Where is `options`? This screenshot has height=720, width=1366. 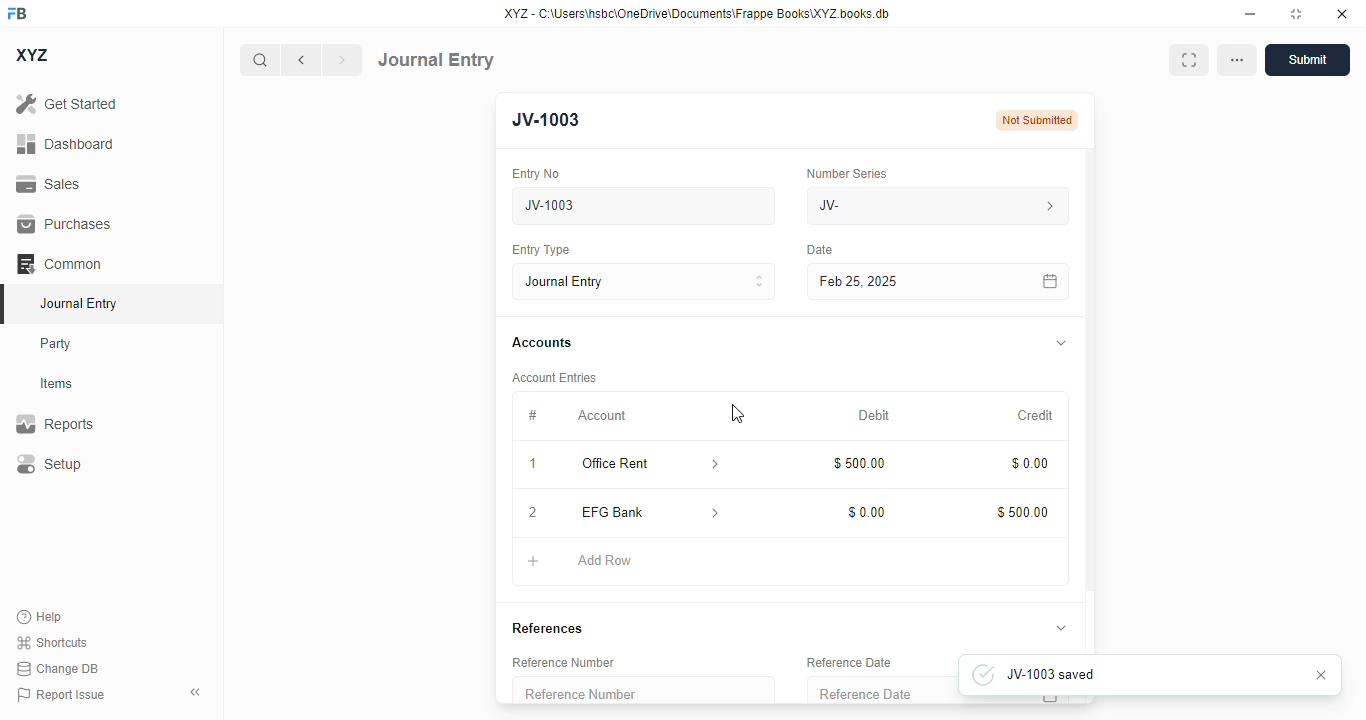
options is located at coordinates (1237, 60).